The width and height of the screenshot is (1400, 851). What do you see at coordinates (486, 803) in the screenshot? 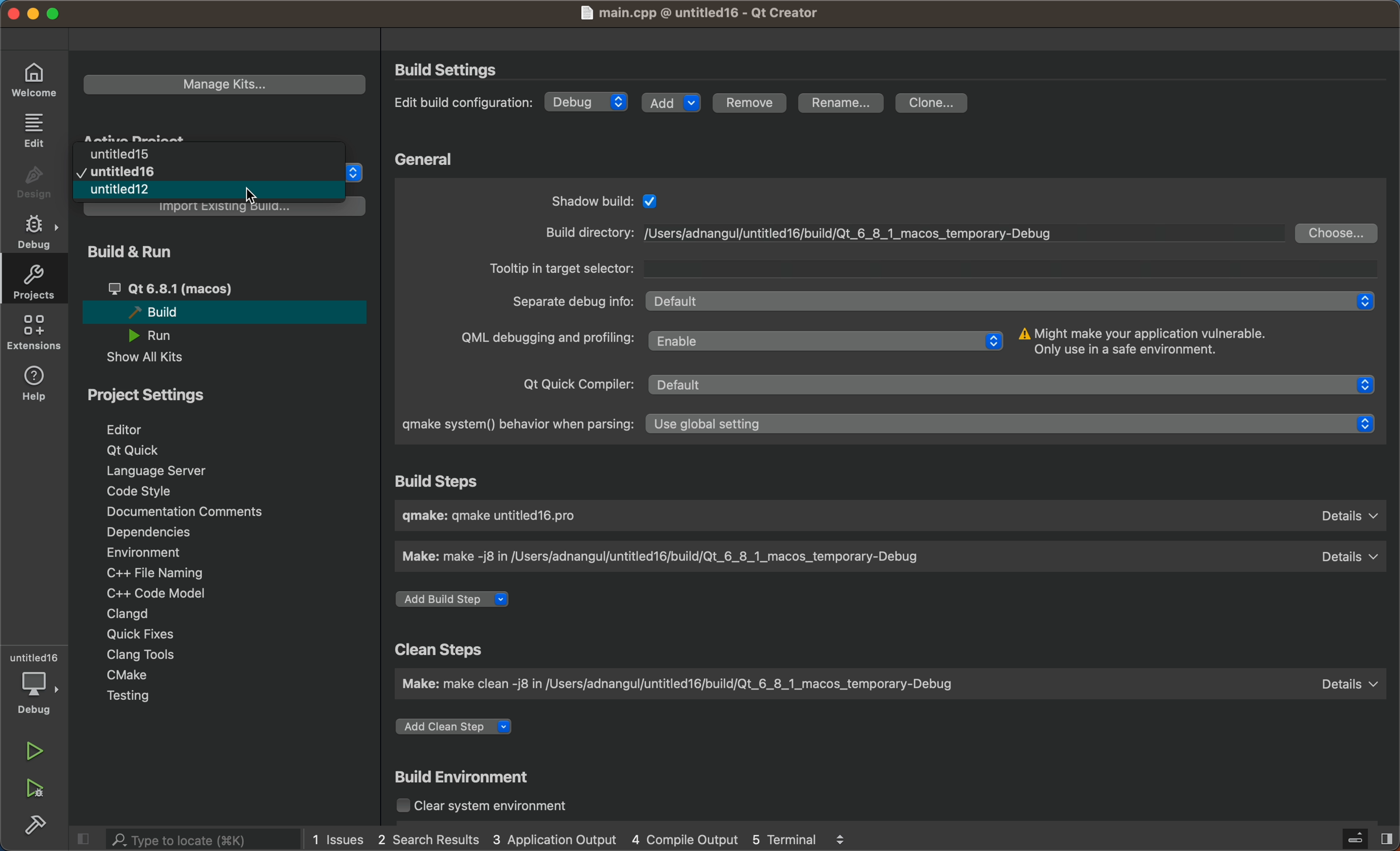
I see `clear ` at bounding box center [486, 803].